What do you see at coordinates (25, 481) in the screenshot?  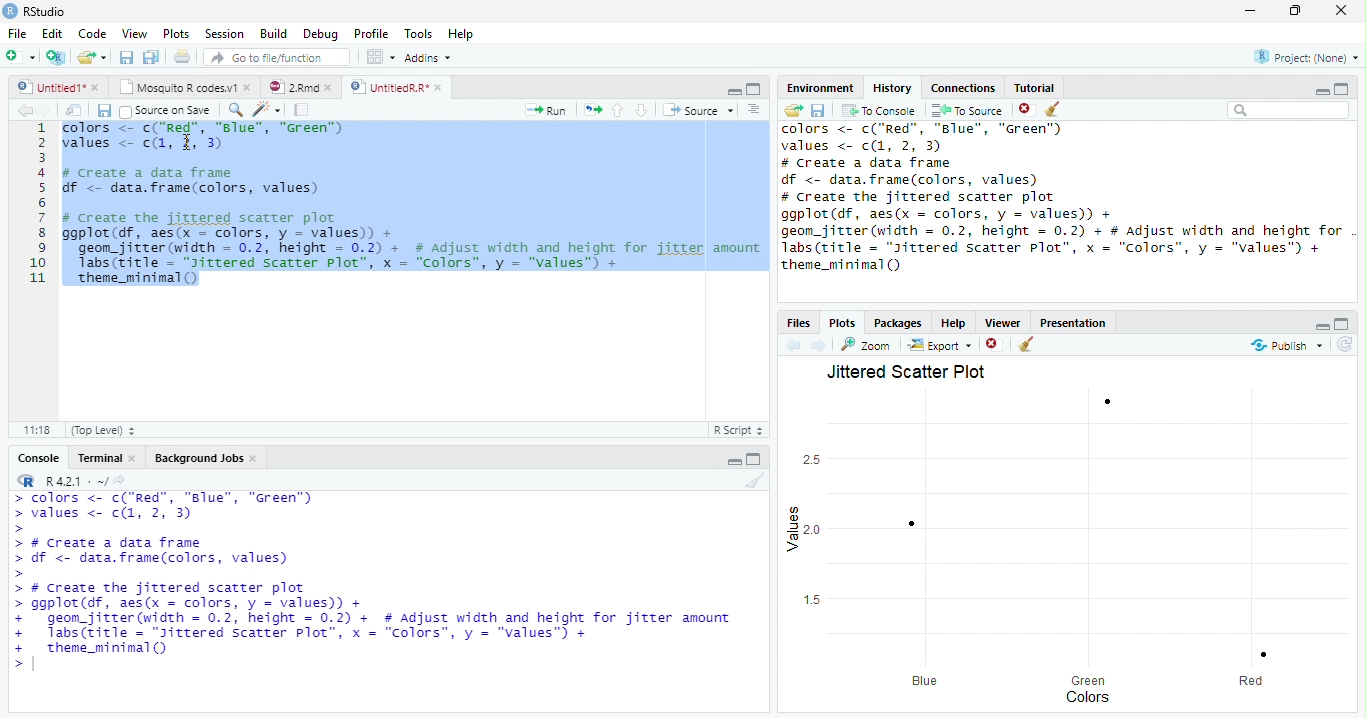 I see `R` at bounding box center [25, 481].